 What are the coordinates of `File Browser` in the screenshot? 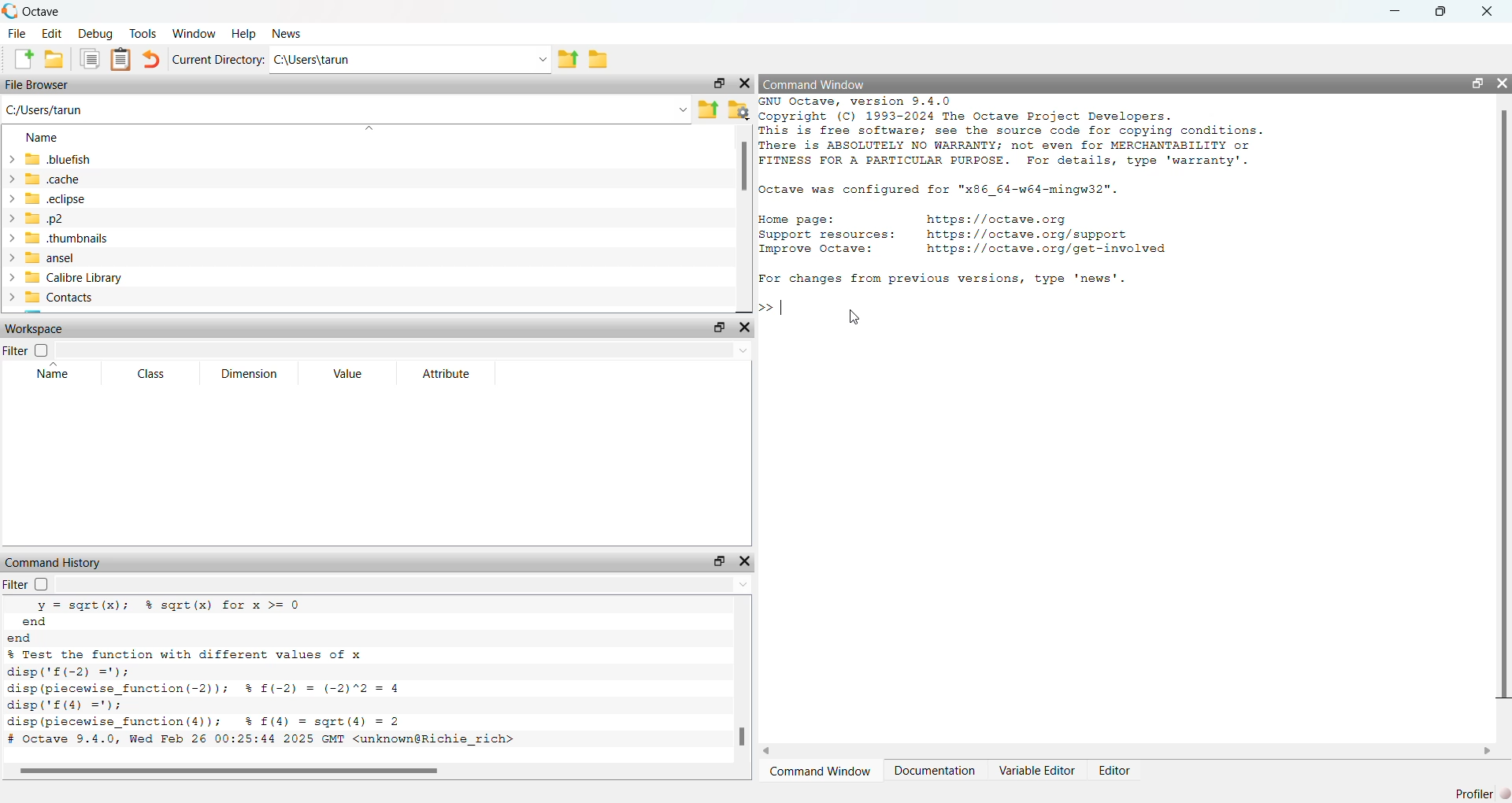 It's located at (41, 83).